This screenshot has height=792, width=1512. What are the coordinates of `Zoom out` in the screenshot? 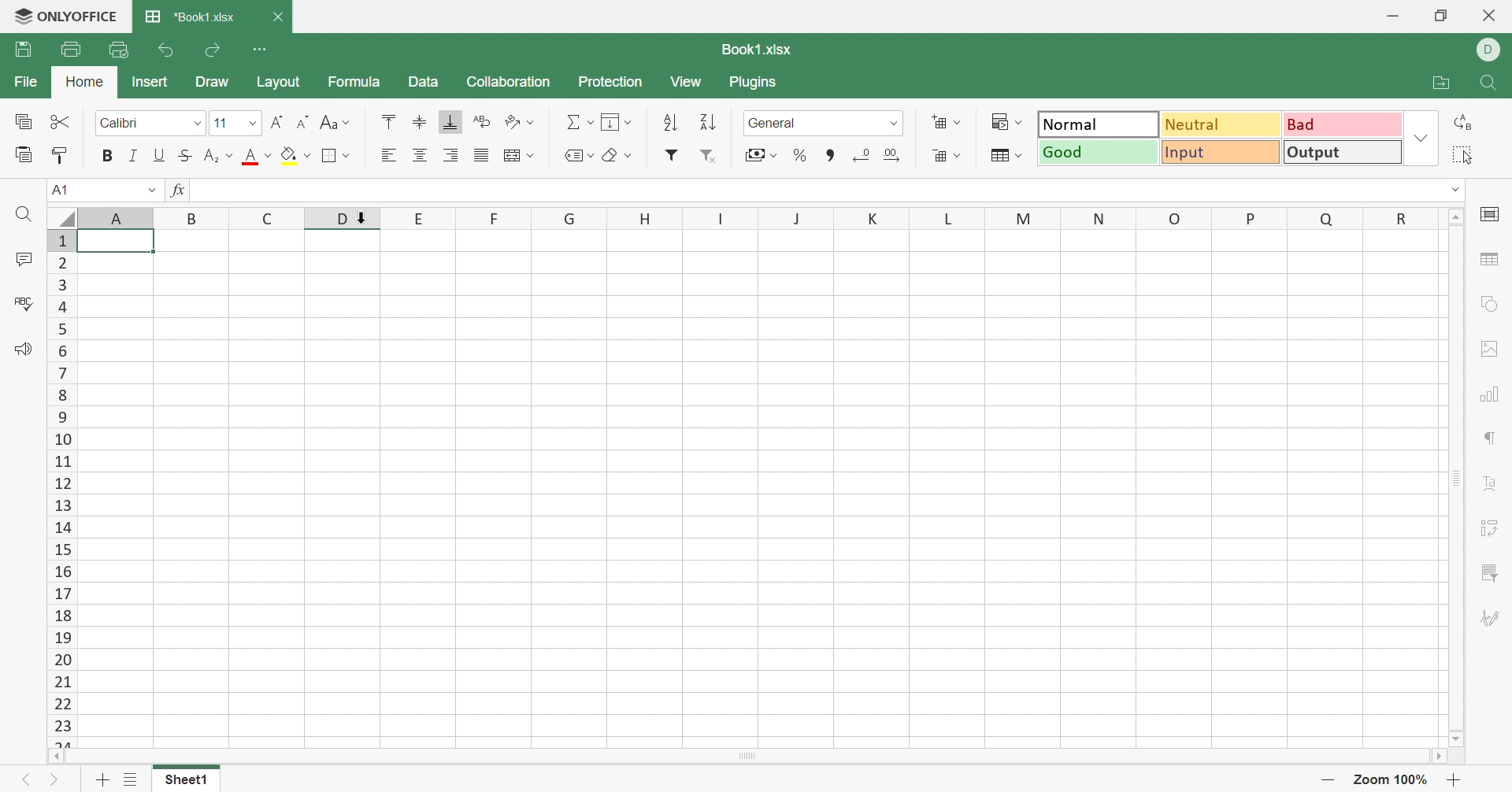 It's located at (1328, 779).